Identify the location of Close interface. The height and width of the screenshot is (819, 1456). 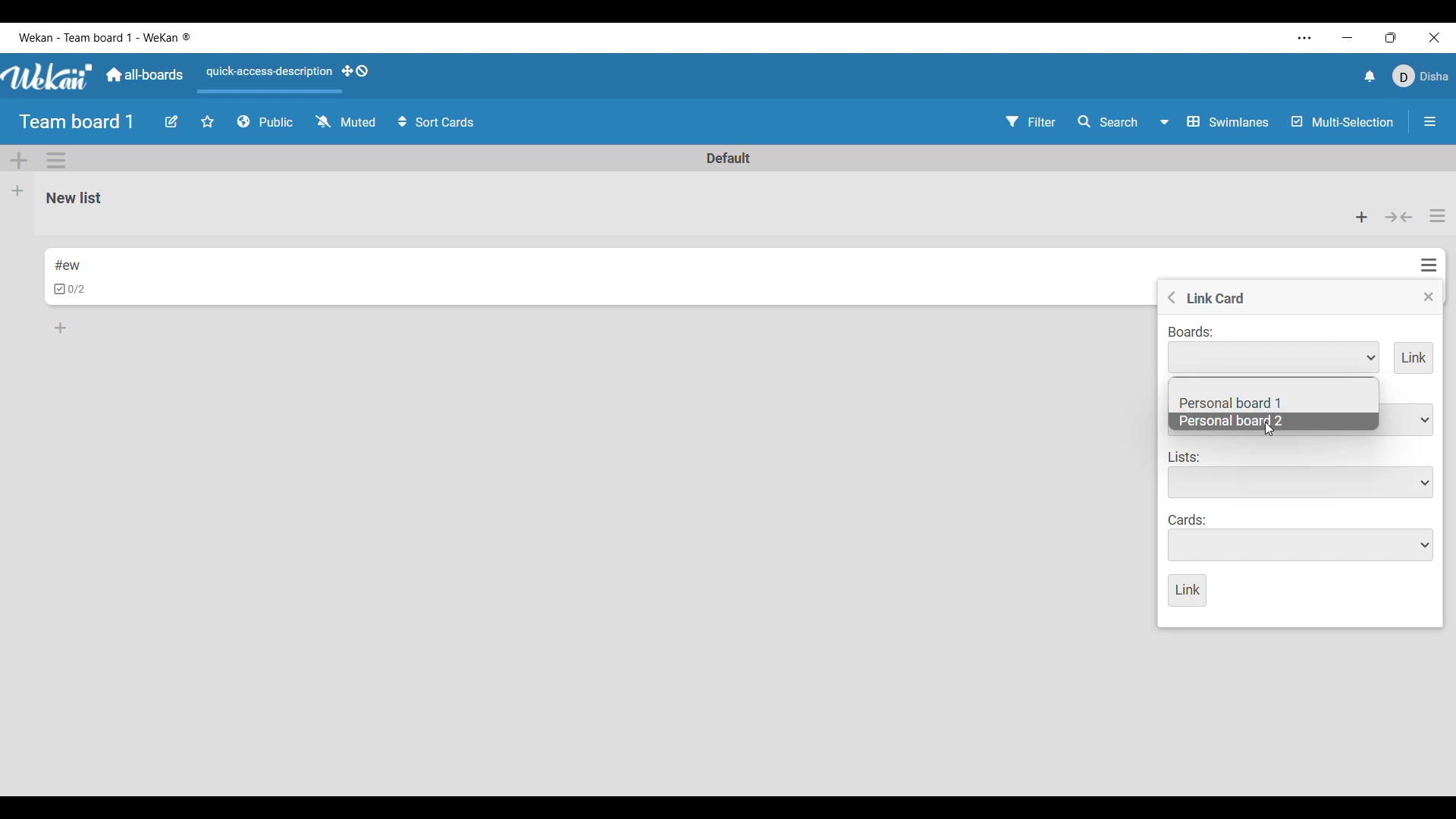
(1434, 37).